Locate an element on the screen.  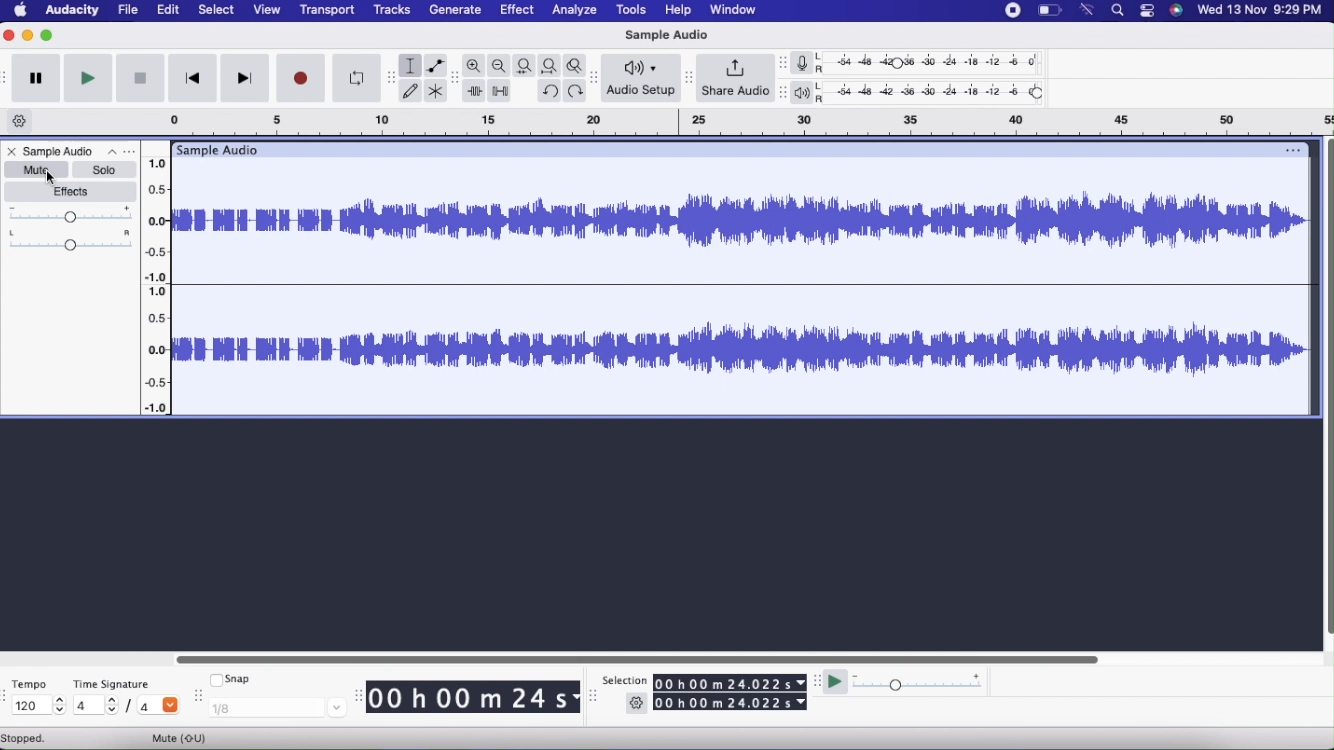
options is located at coordinates (1294, 148).